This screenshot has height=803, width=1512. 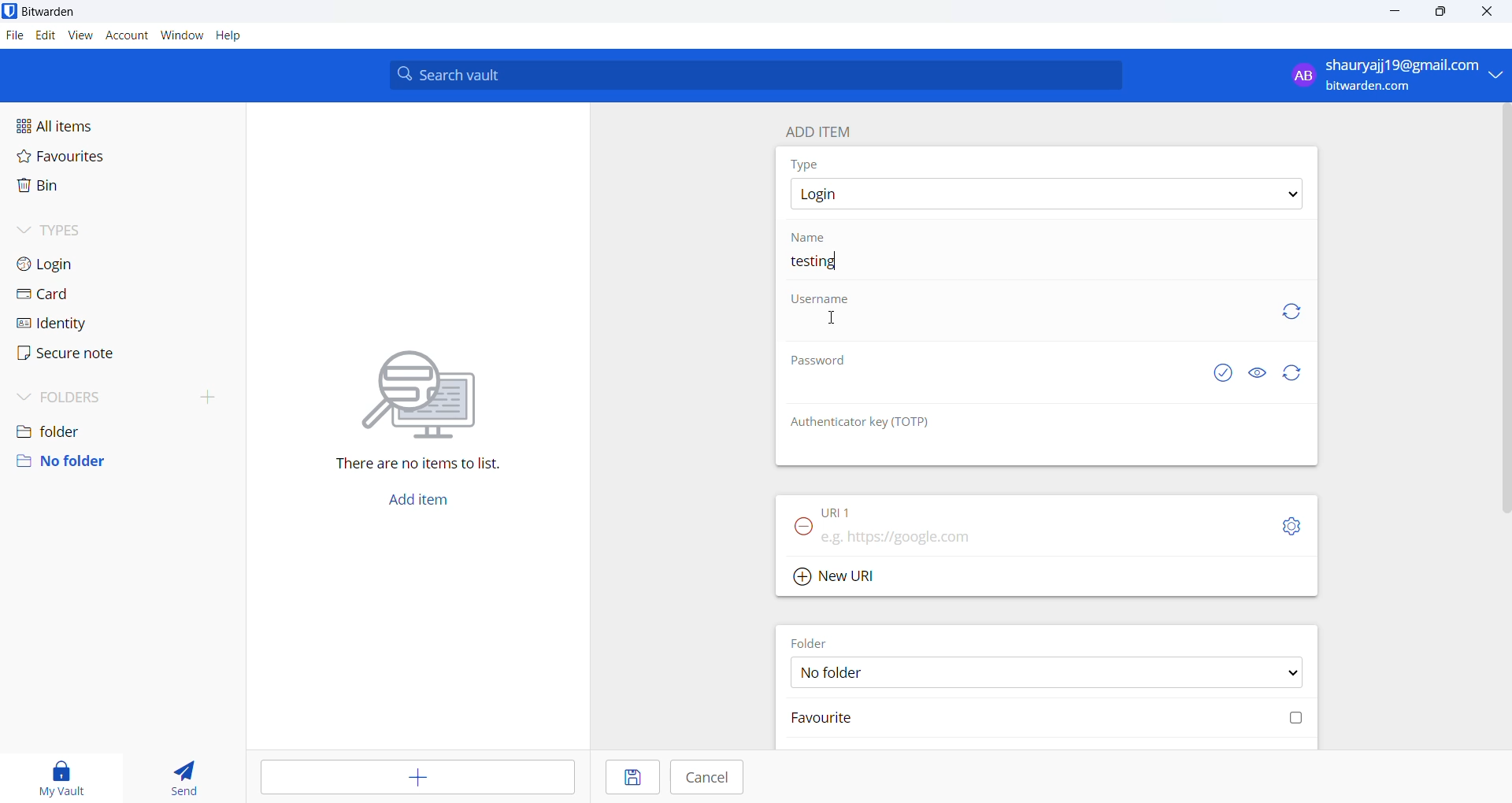 I want to click on send, so click(x=186, y=775).